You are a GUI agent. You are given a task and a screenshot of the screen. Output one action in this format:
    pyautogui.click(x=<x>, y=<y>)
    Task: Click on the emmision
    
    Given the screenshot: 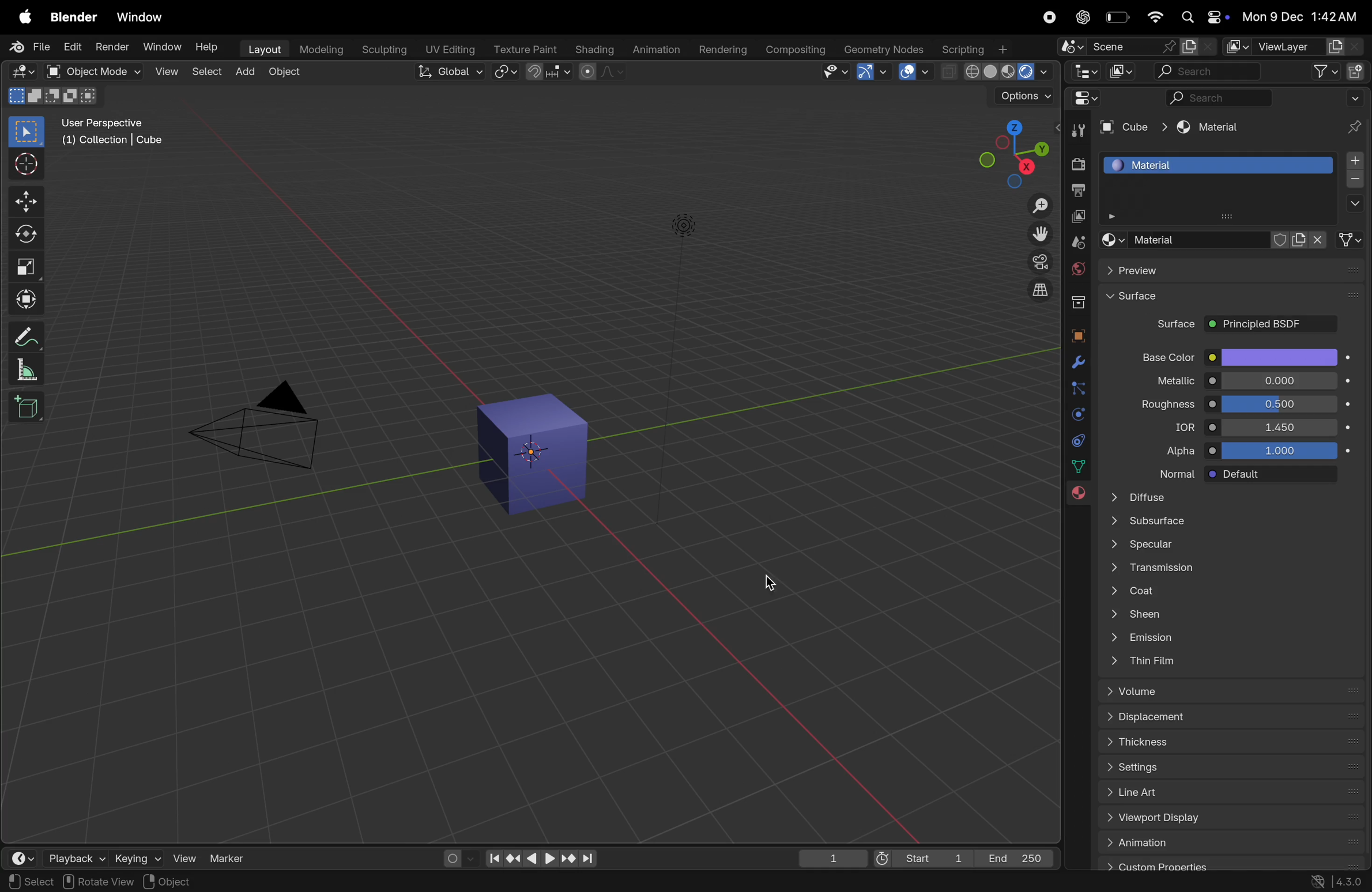 What is the action you would take?
    pyautogui.click(x=1227, y=640)
    